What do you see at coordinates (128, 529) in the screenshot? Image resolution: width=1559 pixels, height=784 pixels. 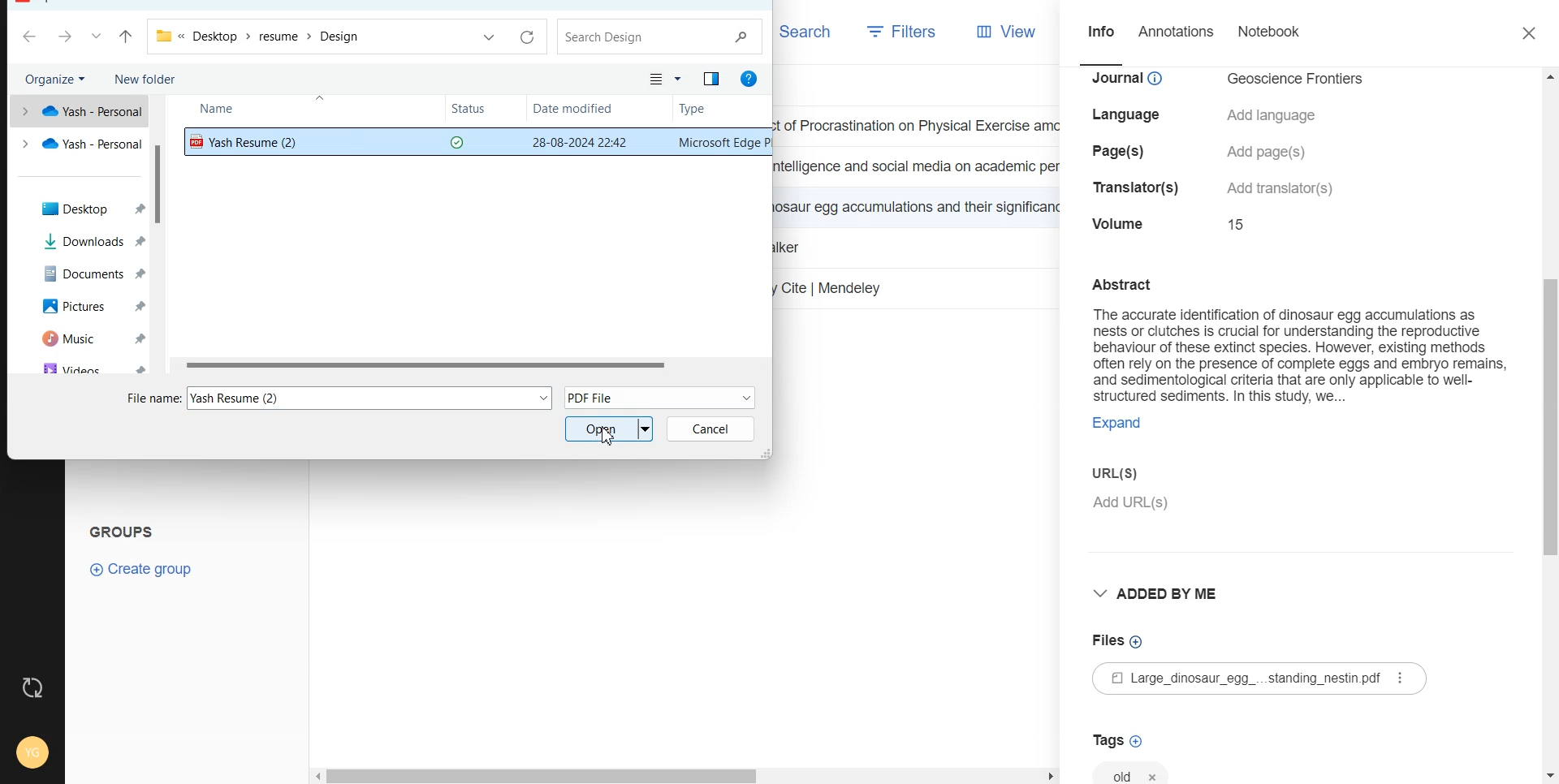 I see `Text` at bounding box center [128, 529].